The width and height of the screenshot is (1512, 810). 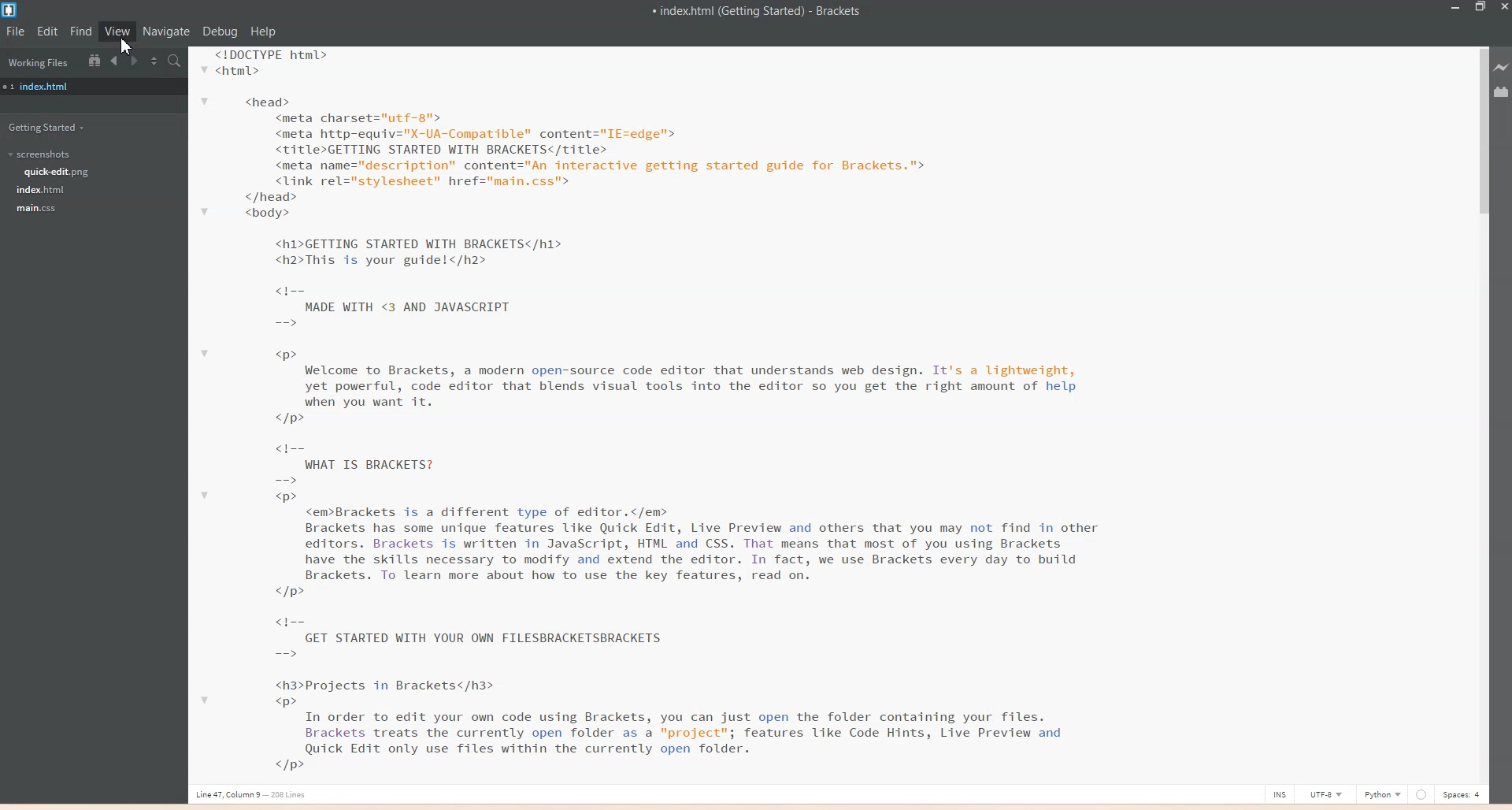 I want to click on Logo, so click(x=10, y=11).